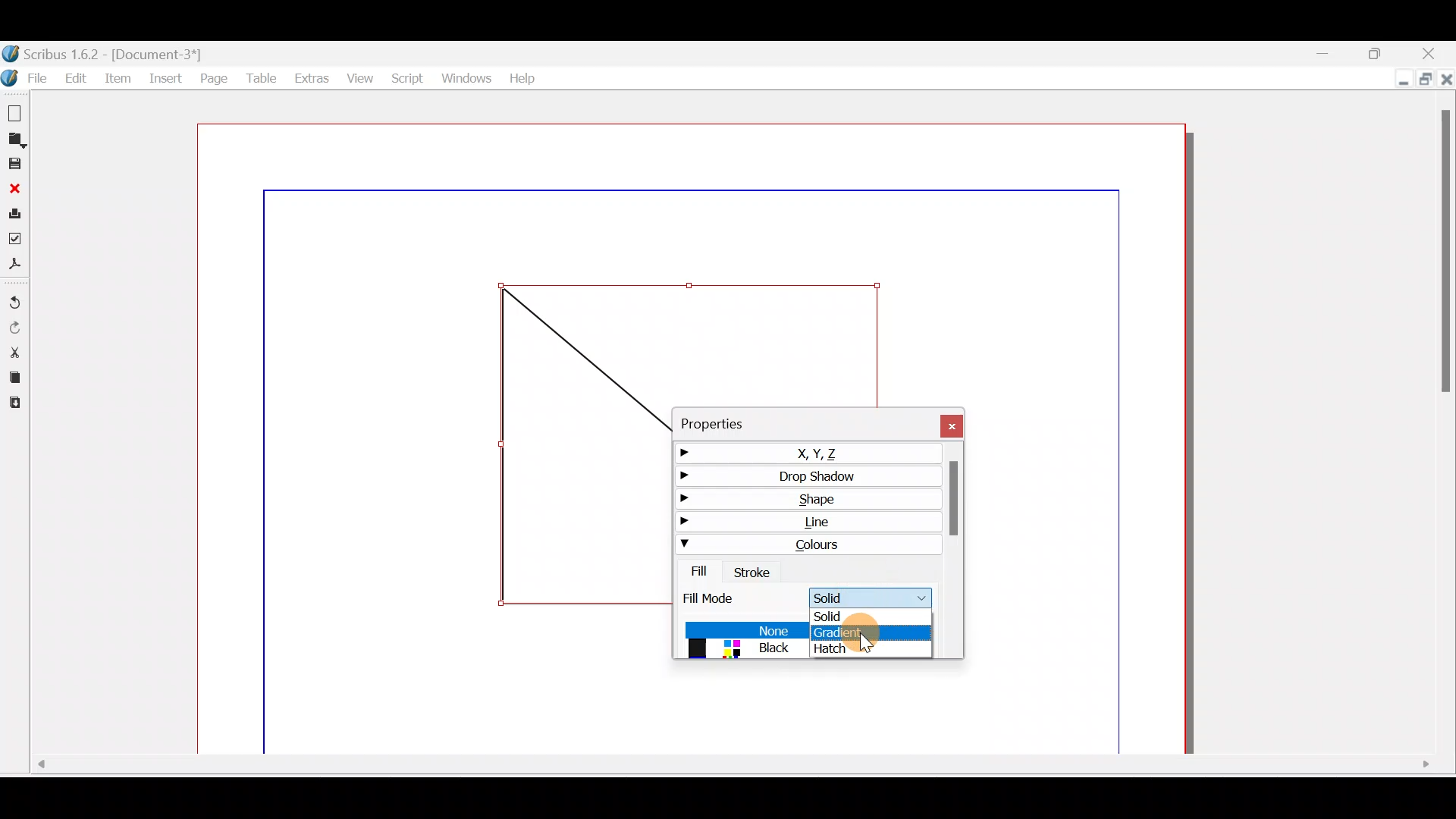  What do you see at coordinates (755, 570) in the screenshot?
I see `Stroke` at bounding box center [755, 570].